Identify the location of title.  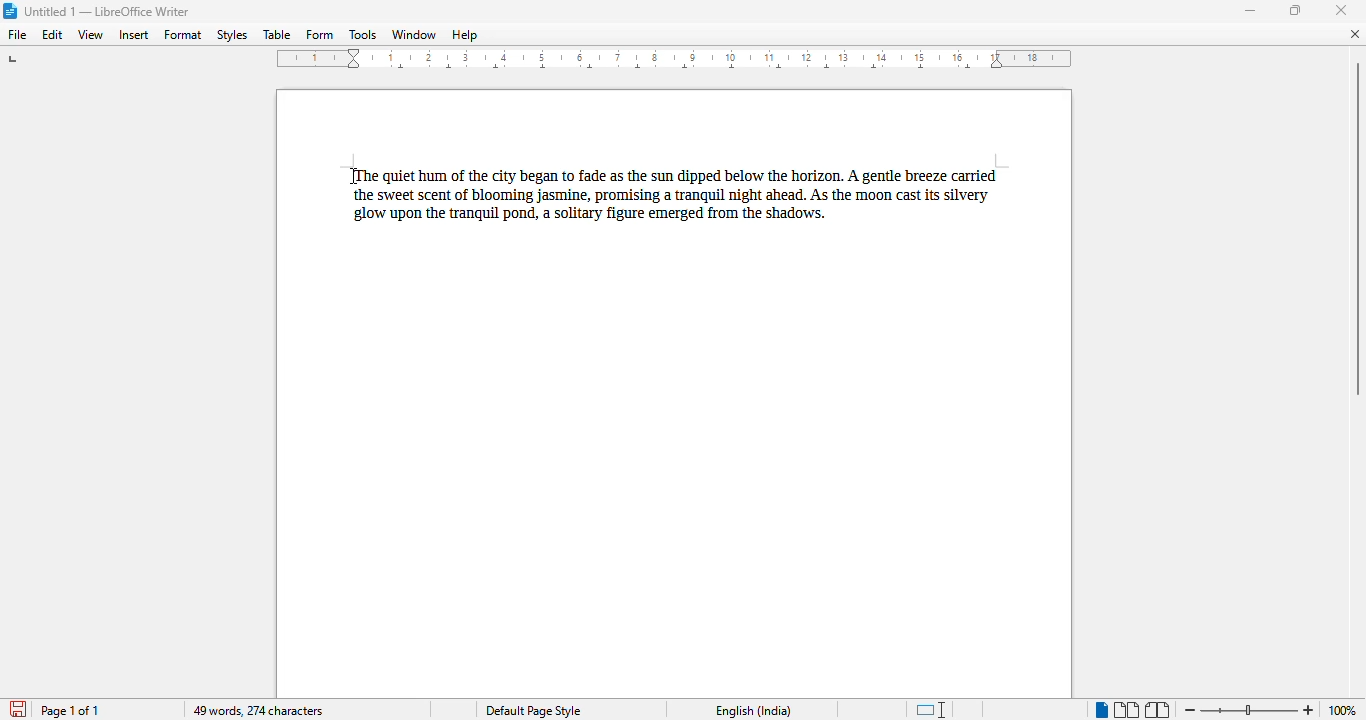
(107, 11).